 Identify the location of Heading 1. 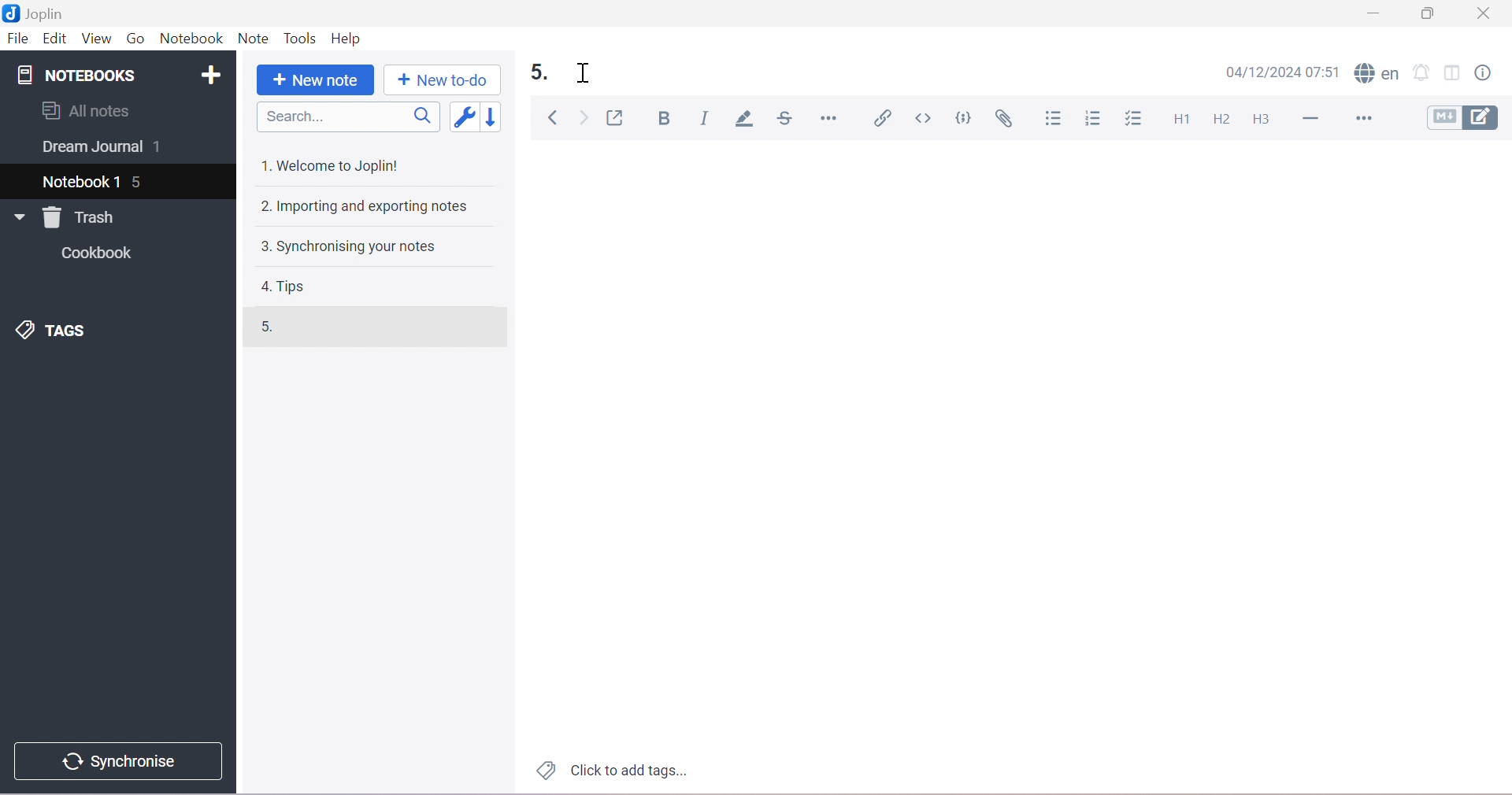
(1184, 118).